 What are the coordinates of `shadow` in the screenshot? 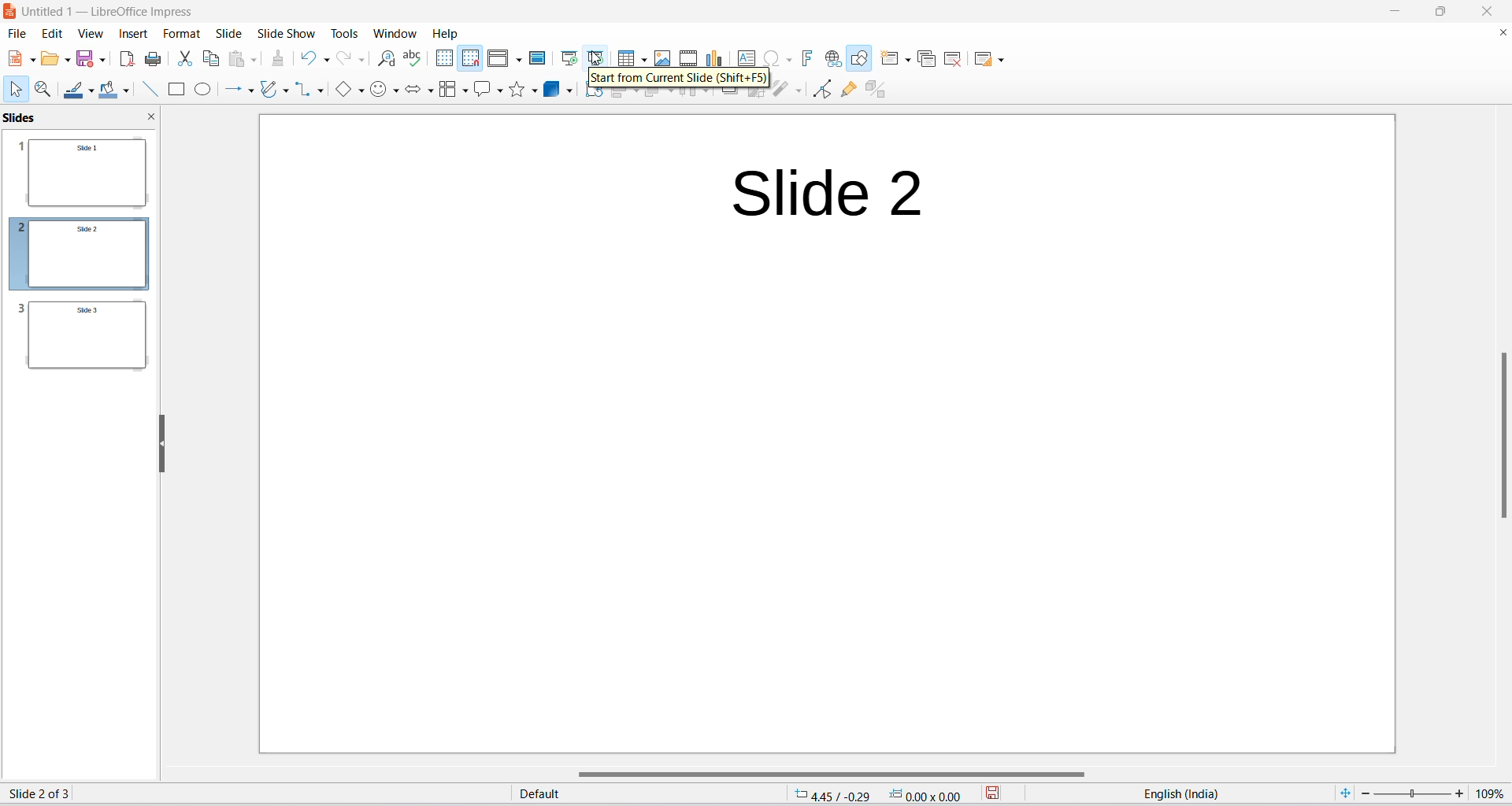 It's located at (730, 97).